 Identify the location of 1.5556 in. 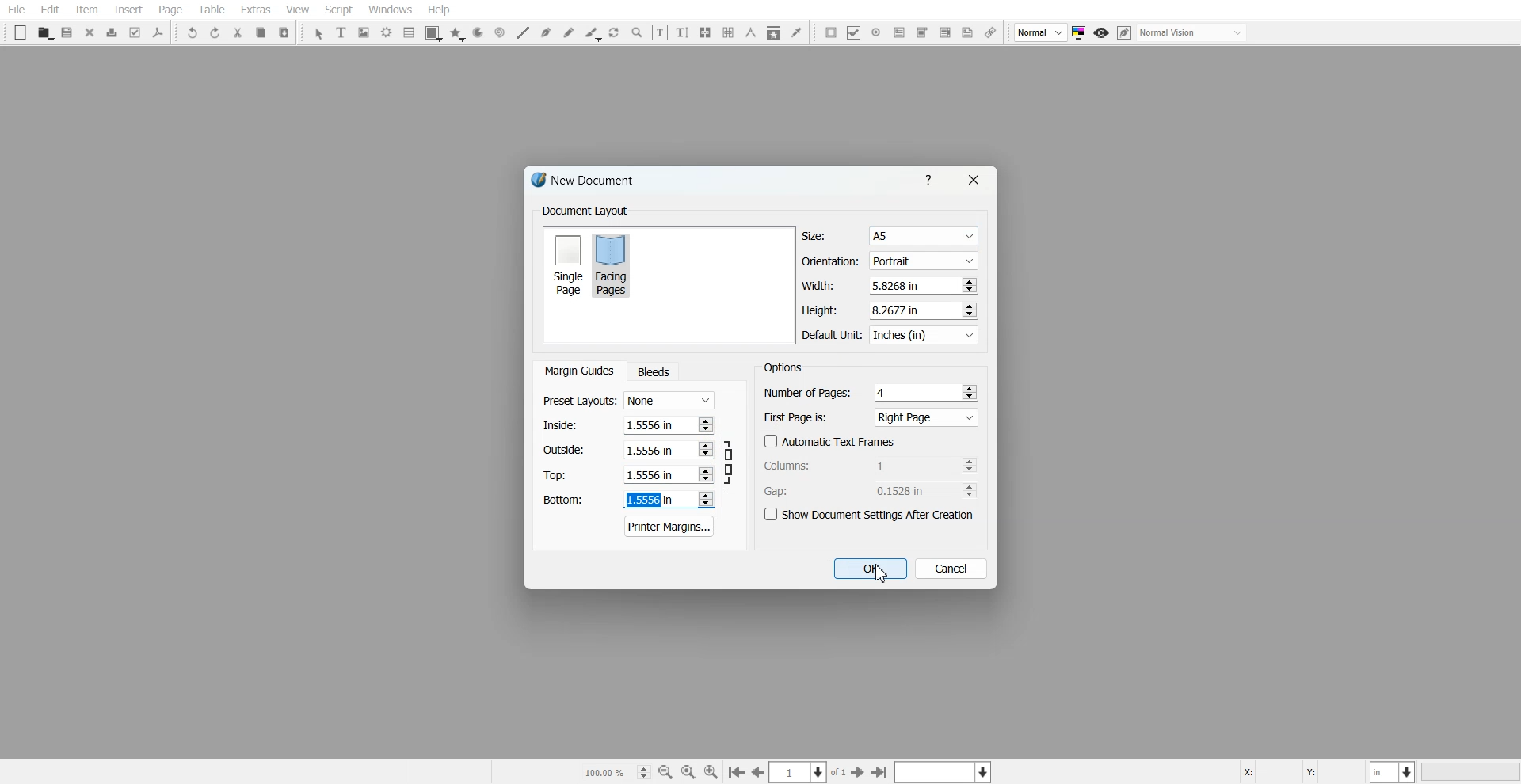
(650, 500).